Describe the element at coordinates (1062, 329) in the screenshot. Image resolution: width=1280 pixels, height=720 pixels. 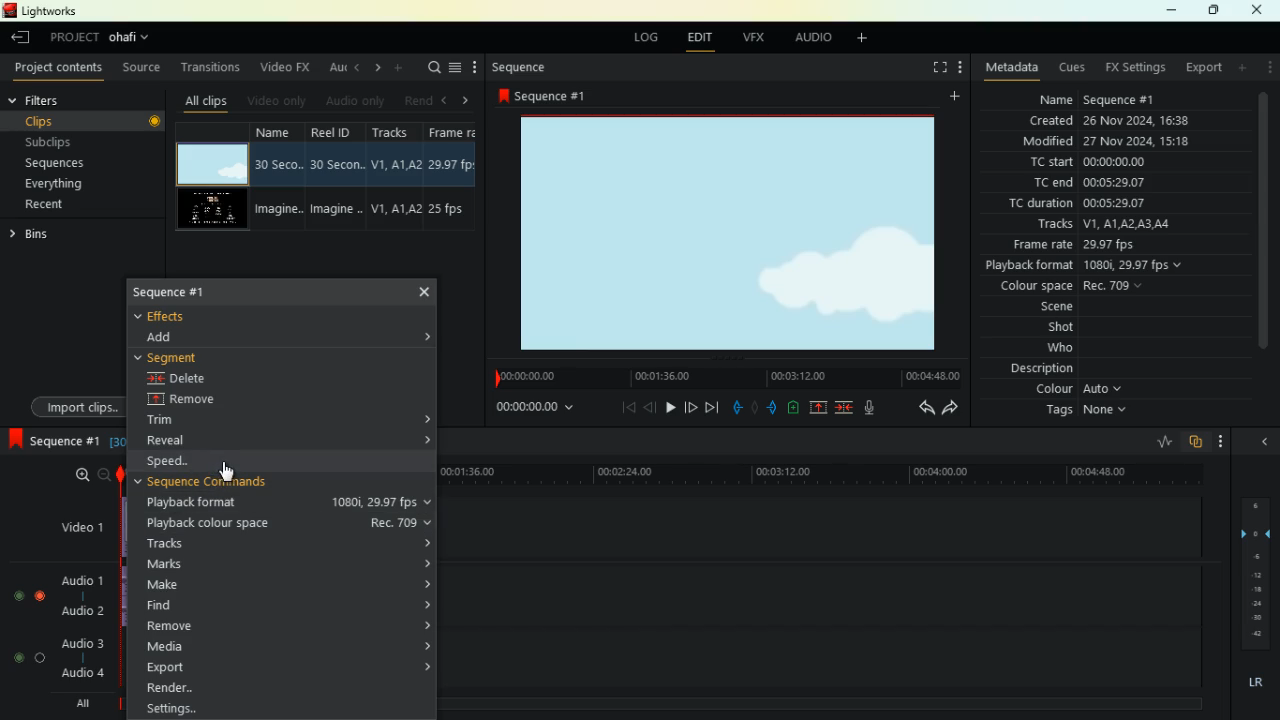
I see `shot` at that location.